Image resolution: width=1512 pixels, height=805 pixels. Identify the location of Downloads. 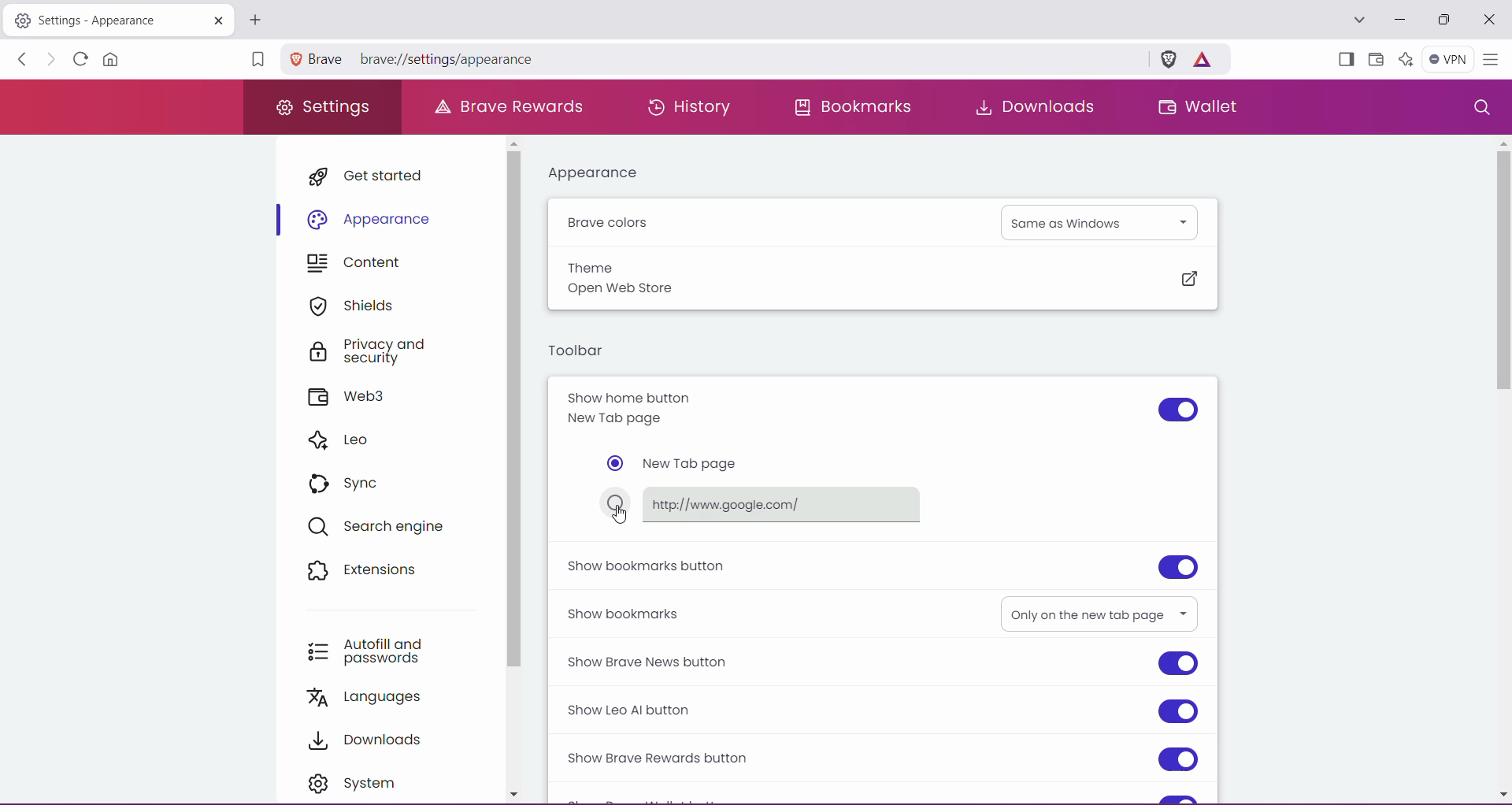
(373, 738).